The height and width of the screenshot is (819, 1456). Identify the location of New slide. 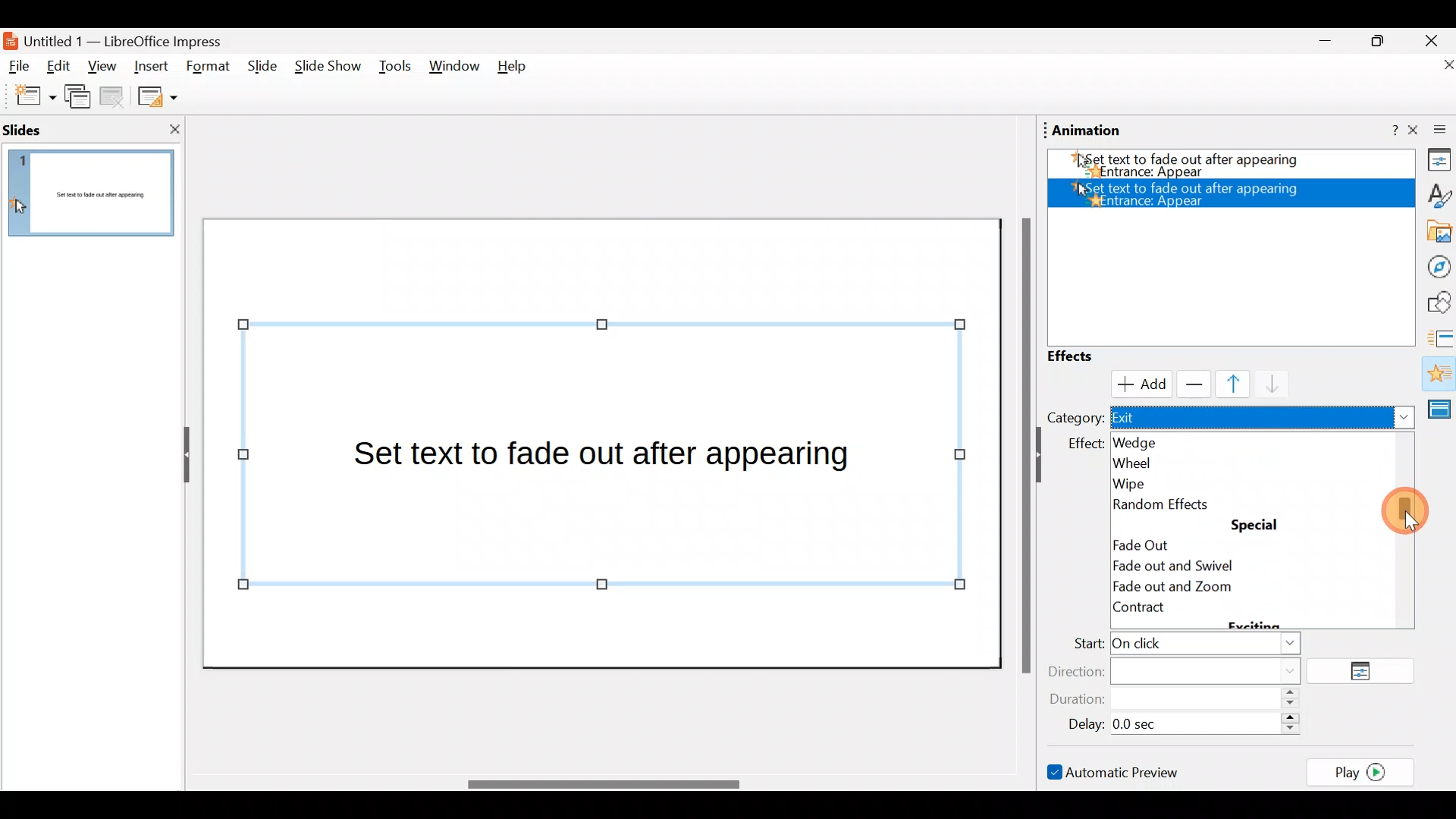
(28, 96).